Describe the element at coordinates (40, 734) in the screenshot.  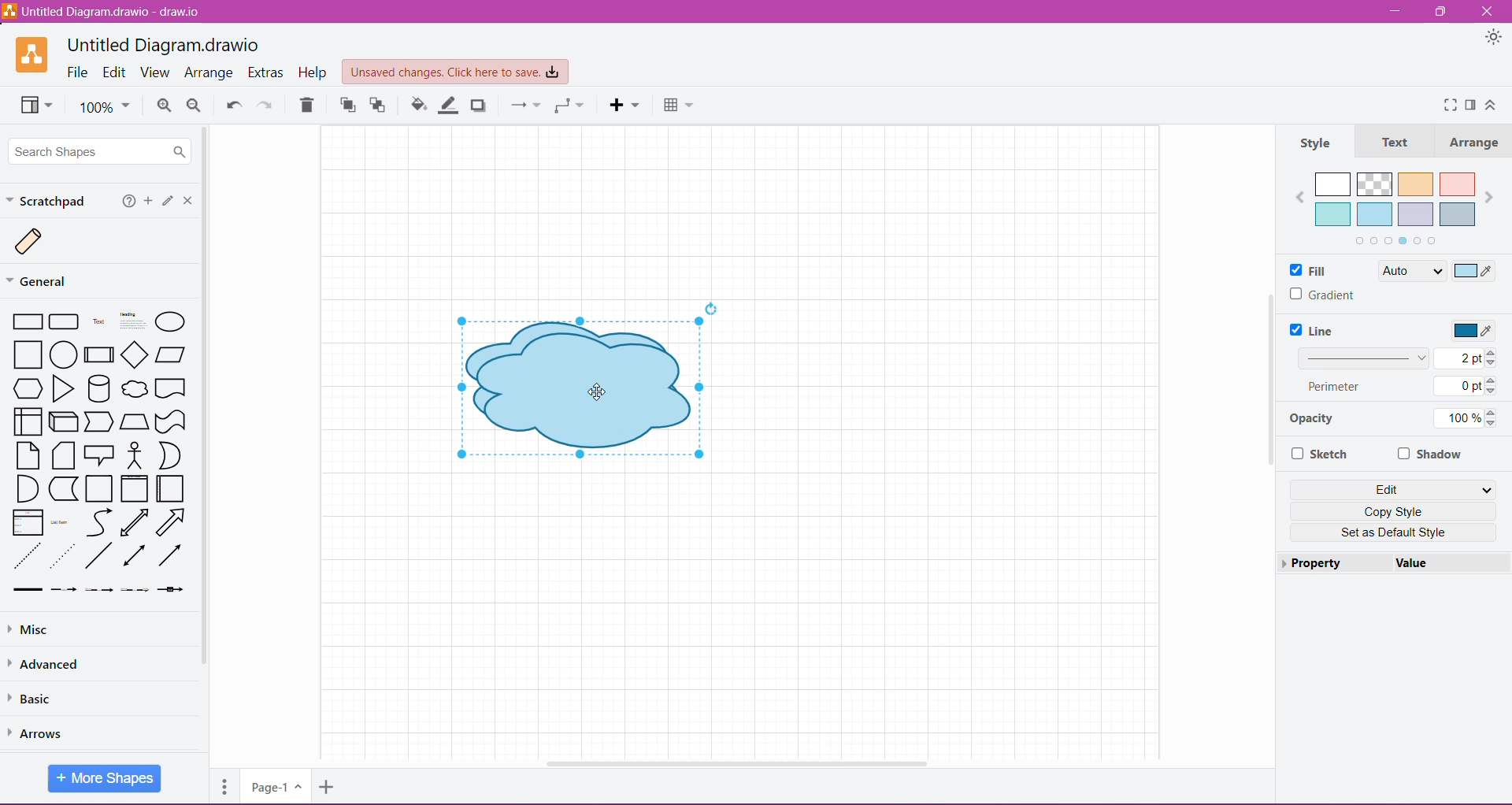
I see `Arrows` at that location.